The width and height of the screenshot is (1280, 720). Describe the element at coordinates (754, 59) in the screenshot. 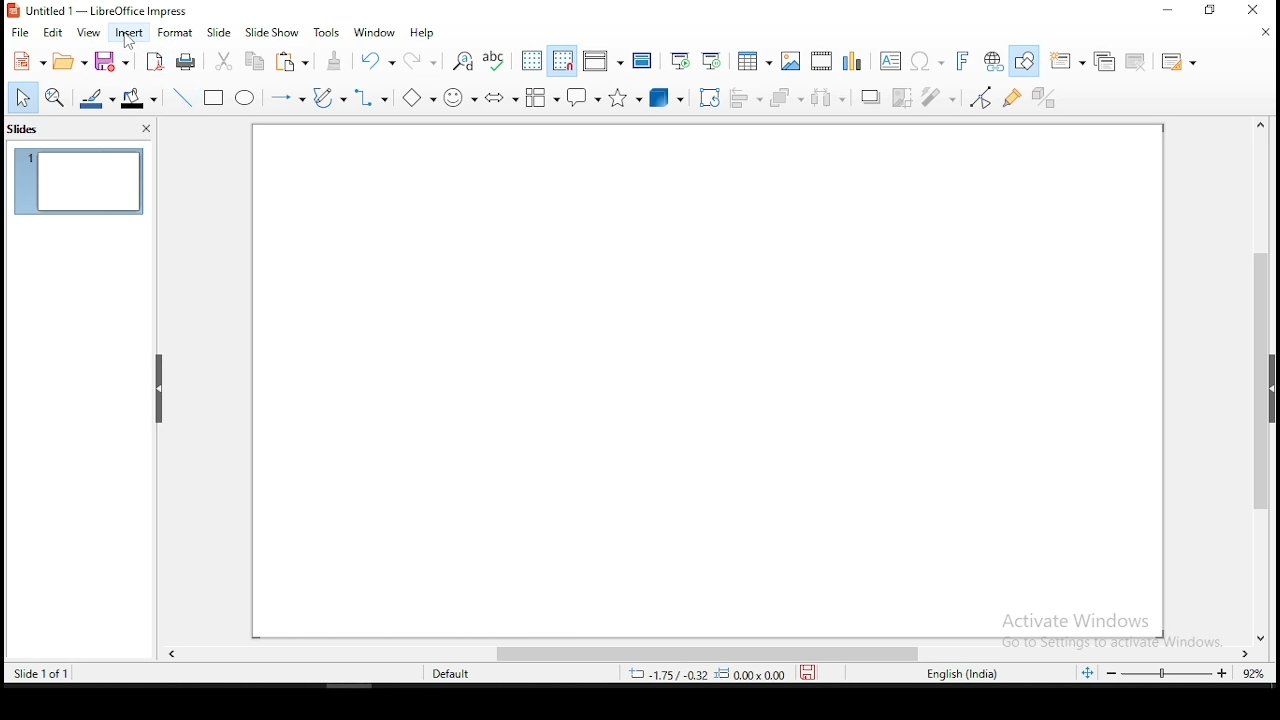

I see `table` at that location.